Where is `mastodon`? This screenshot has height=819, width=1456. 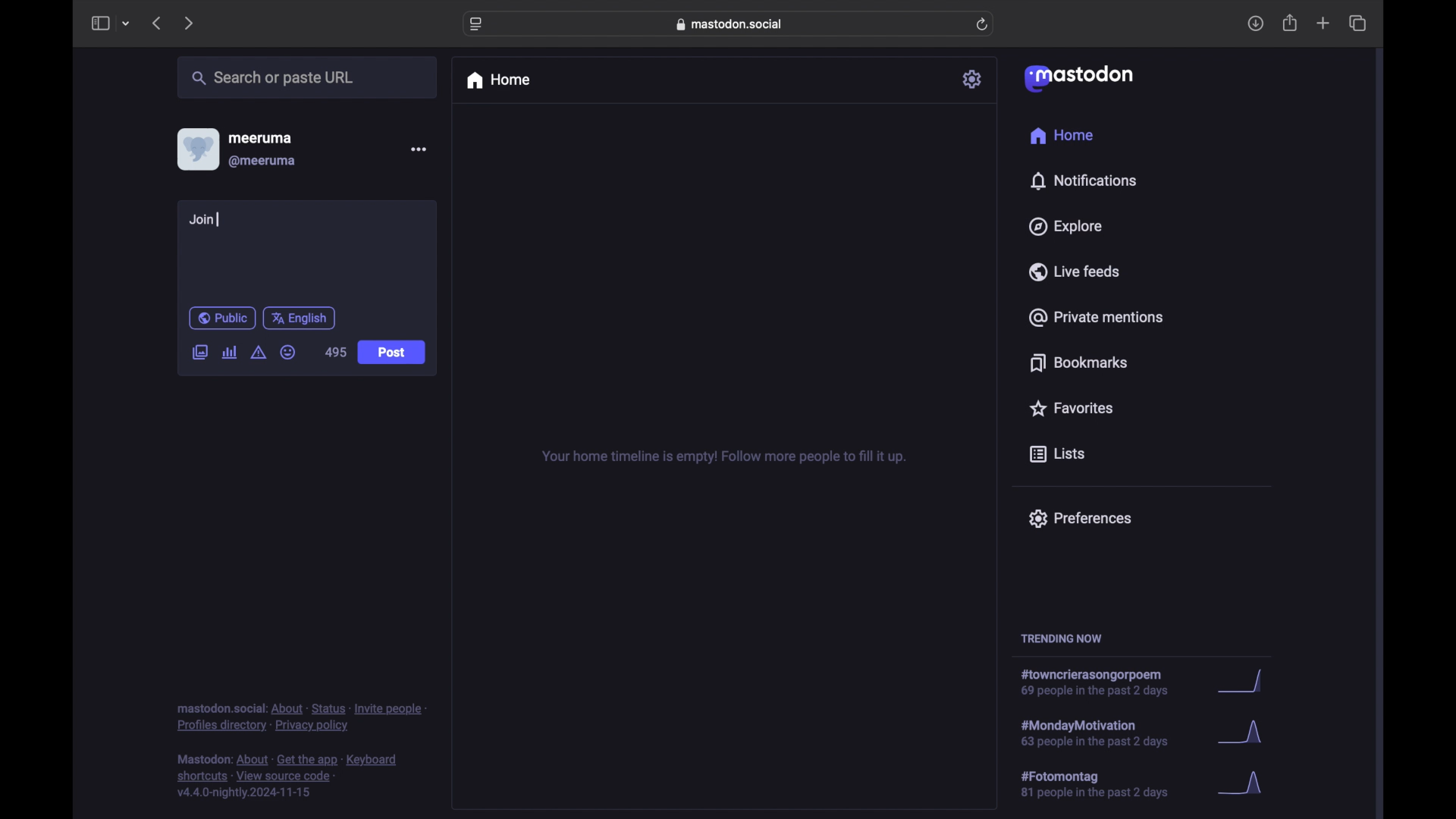
mastodon is located at coordinates (1077, 77).